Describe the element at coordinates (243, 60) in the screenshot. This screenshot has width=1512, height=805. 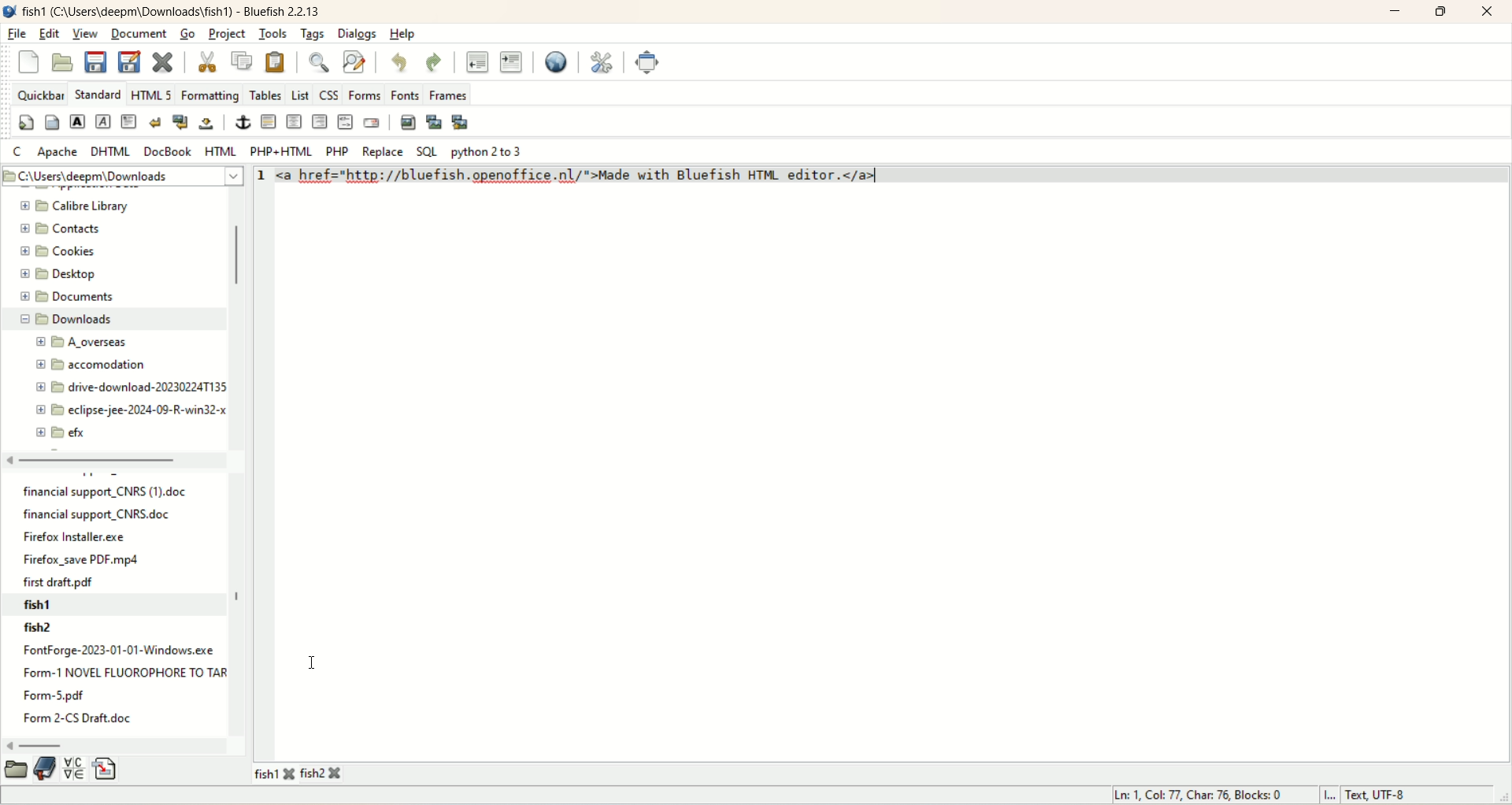
I see `copy` at that location.